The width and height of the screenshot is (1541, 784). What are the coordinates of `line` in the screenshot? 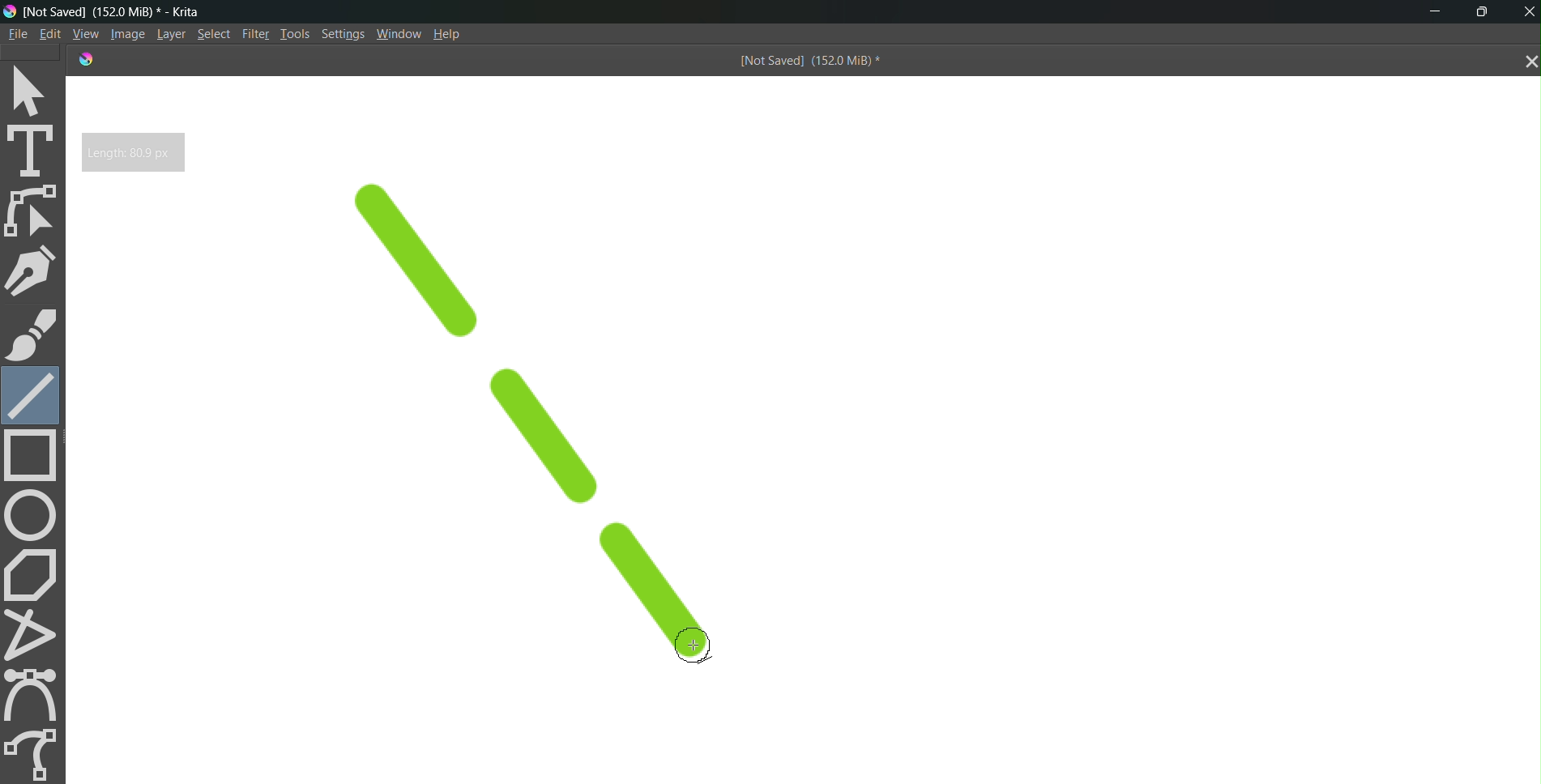 It's located at (31, 393).